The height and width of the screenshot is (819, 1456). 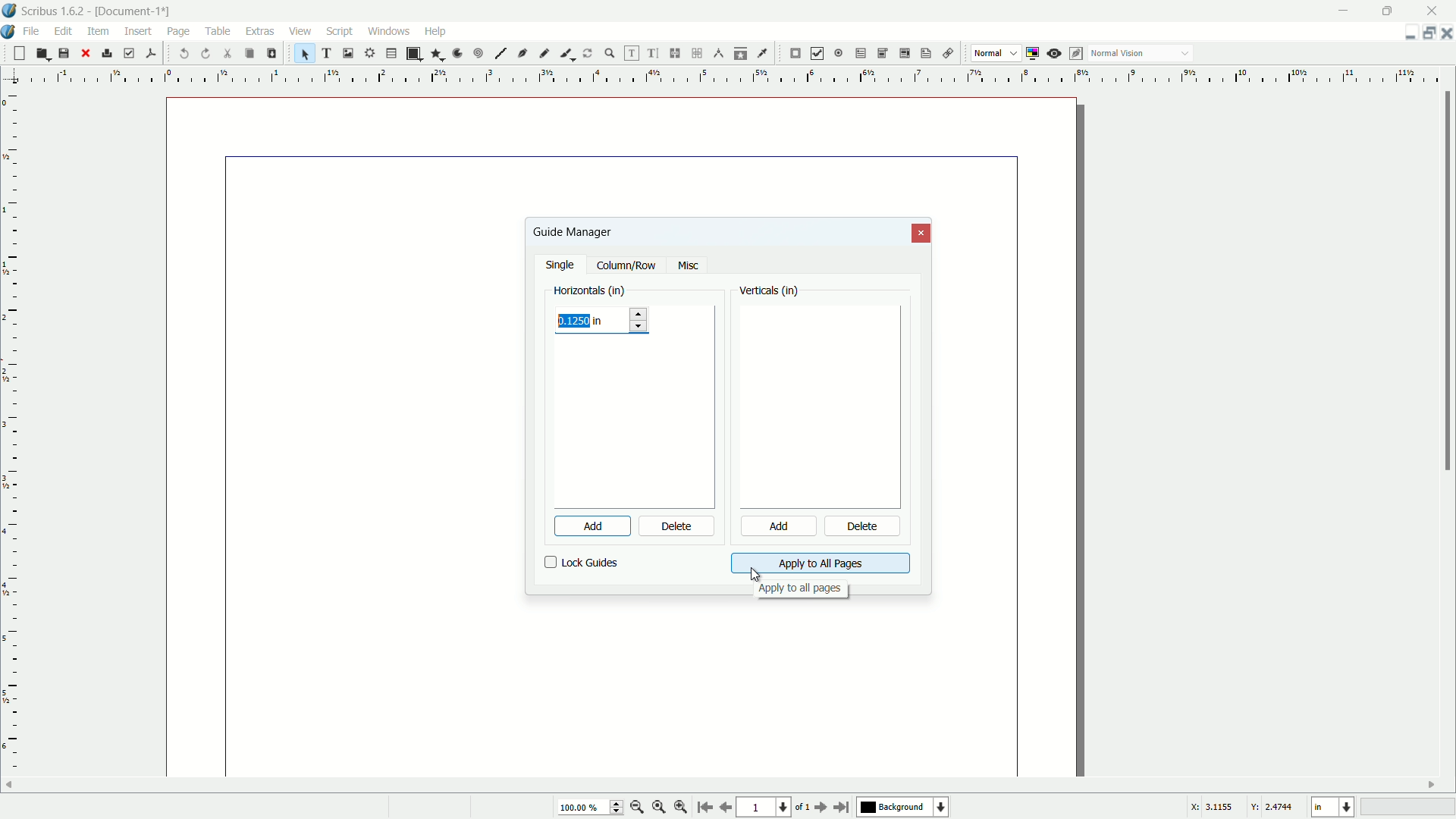 What do you see at coordinates (638, 807) in the screenshot?
I see `zoom out` at bounding box center [638, 807].